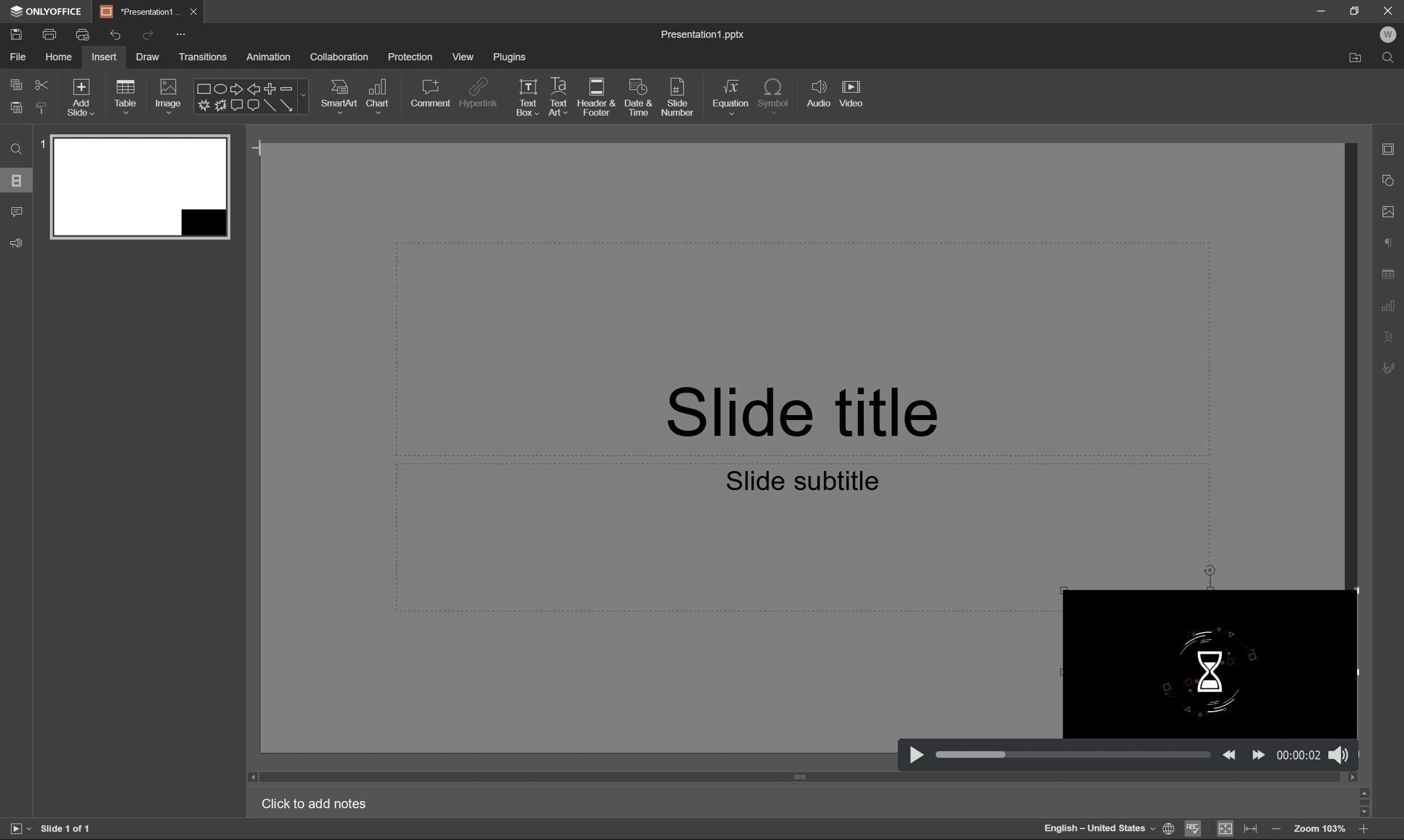 Image resolution: width=1404 pixels, height=840 pixels. What do you see at coordinates (776, 95) in the screenshot?
I see `symbol` at bounding box center [776, 95].